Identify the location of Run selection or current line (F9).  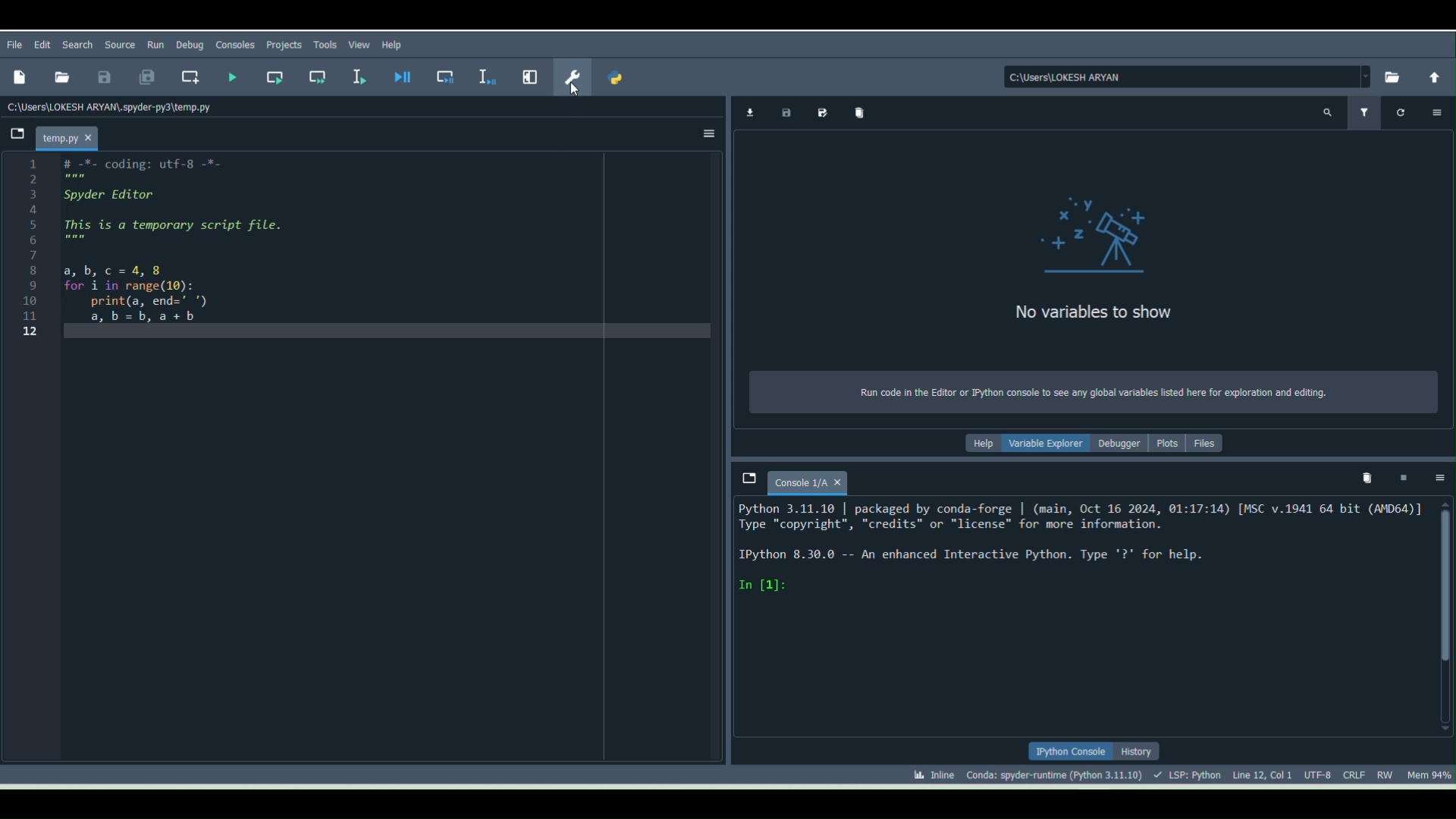
(360, 78).